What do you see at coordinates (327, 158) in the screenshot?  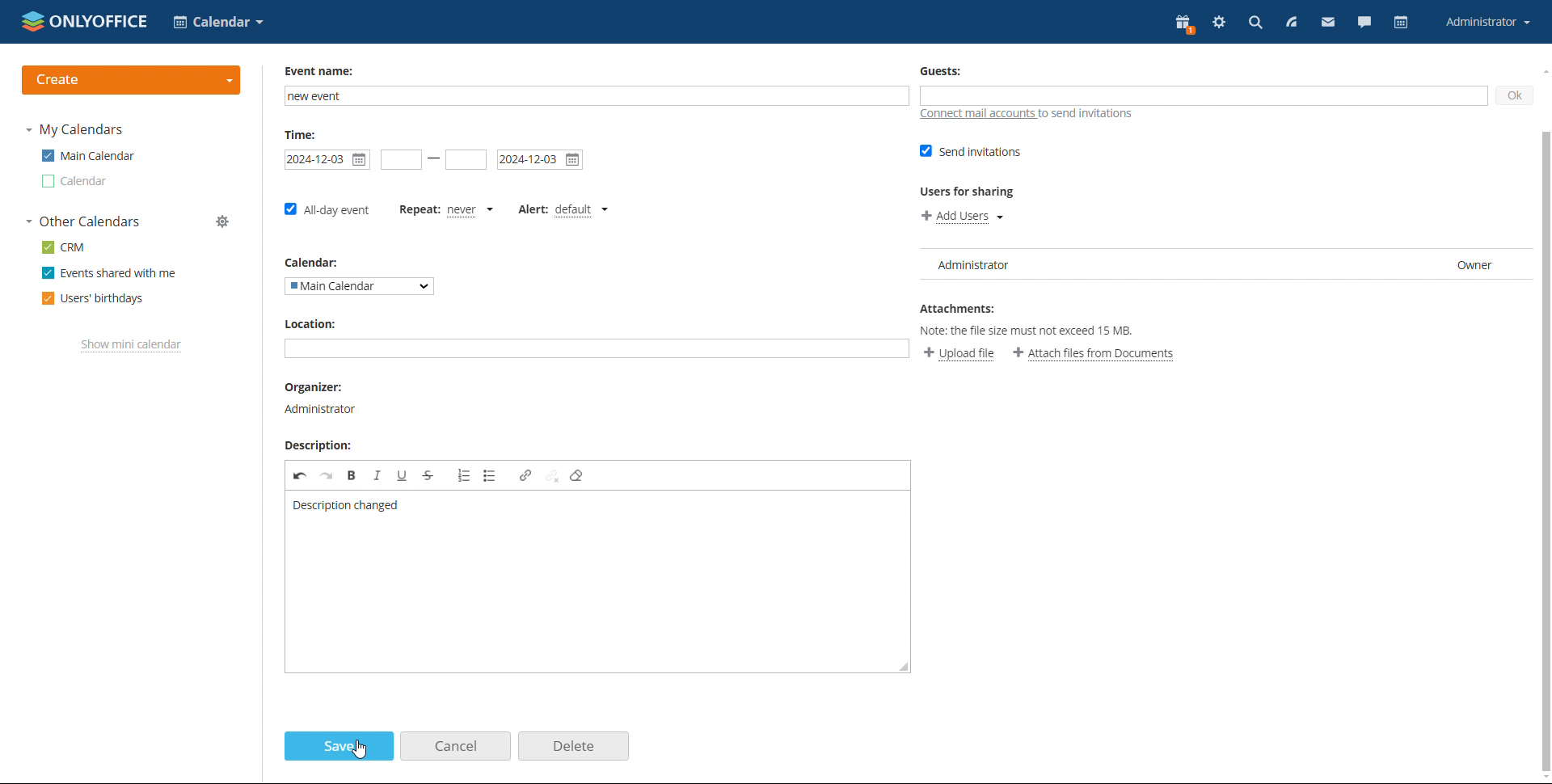 I see `start date` at bounding box center [327, 158].